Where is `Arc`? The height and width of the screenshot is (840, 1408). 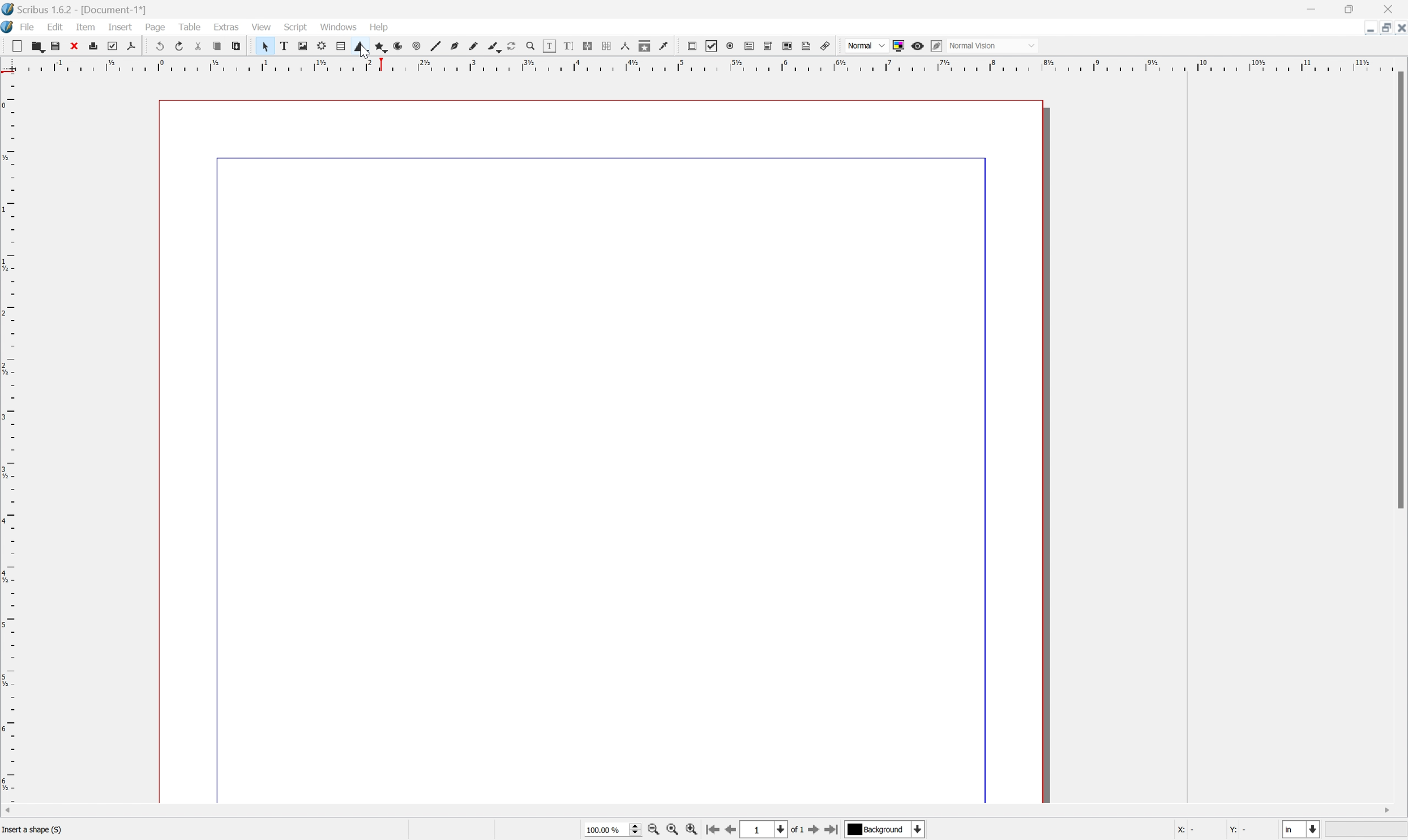 Arc is located at coordinates (395, 46).